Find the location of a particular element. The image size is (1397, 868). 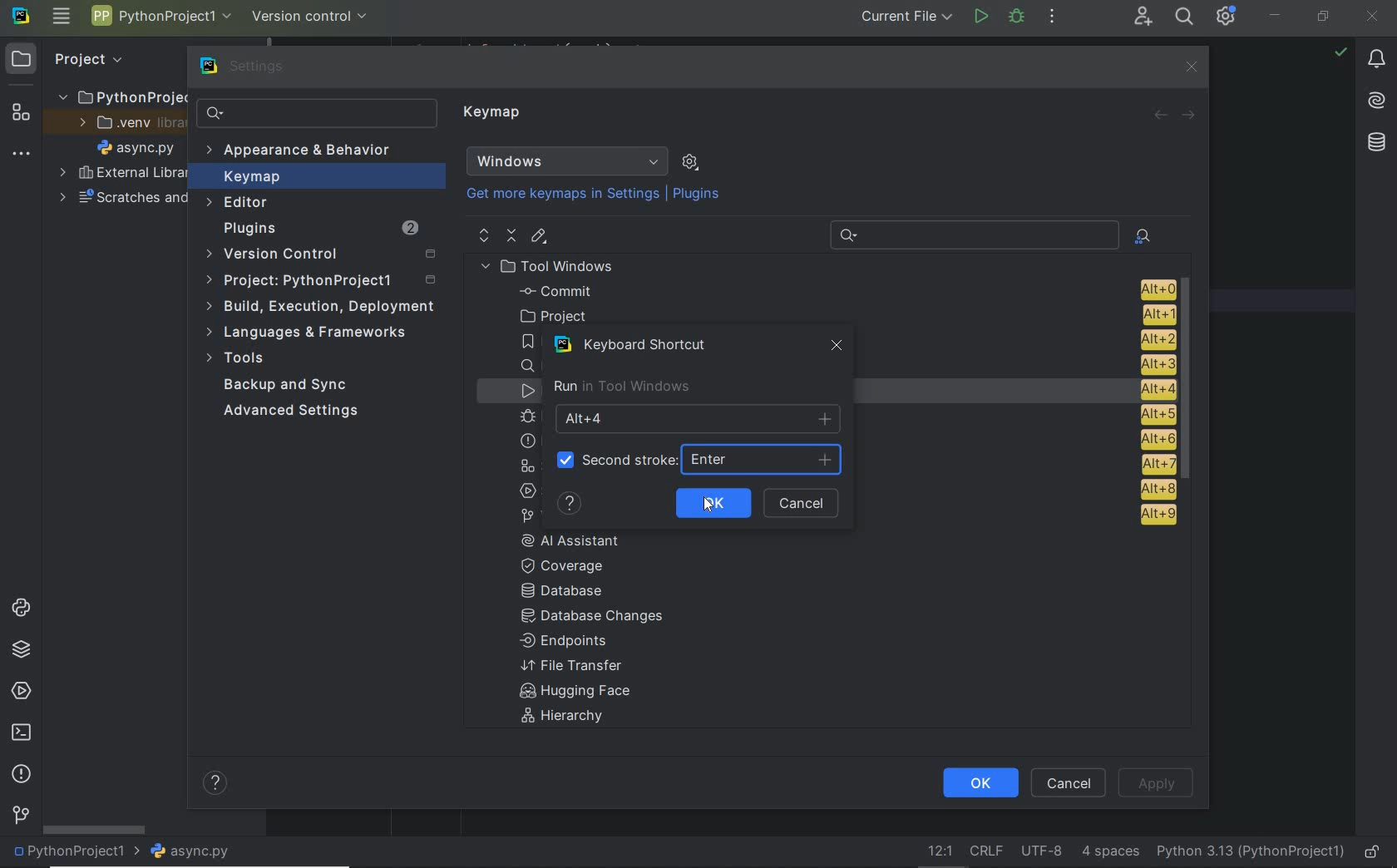

file name is located at coordinates (190, 852).